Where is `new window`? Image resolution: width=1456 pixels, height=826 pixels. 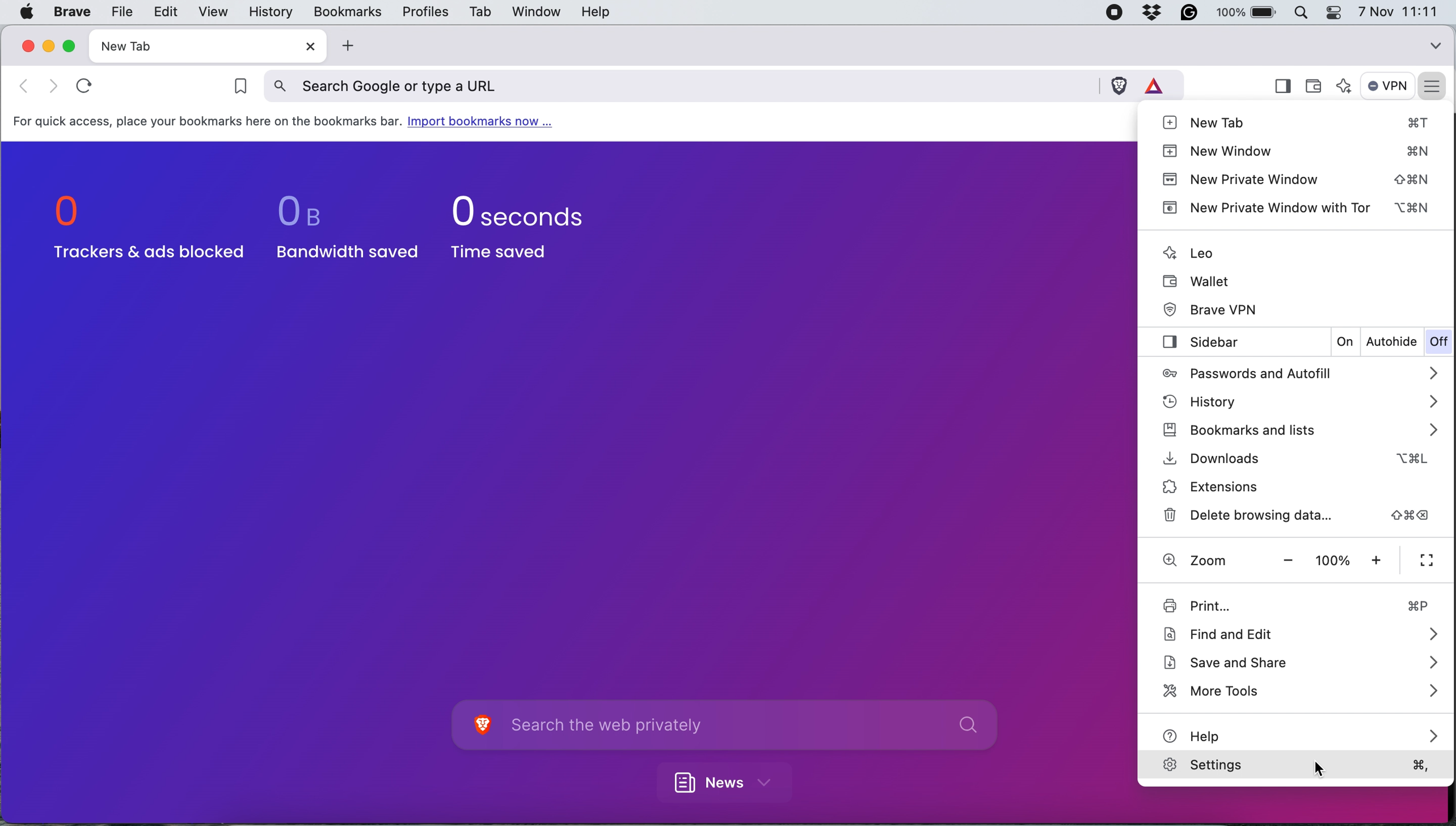
new window is located at coordinates (1297, 150).